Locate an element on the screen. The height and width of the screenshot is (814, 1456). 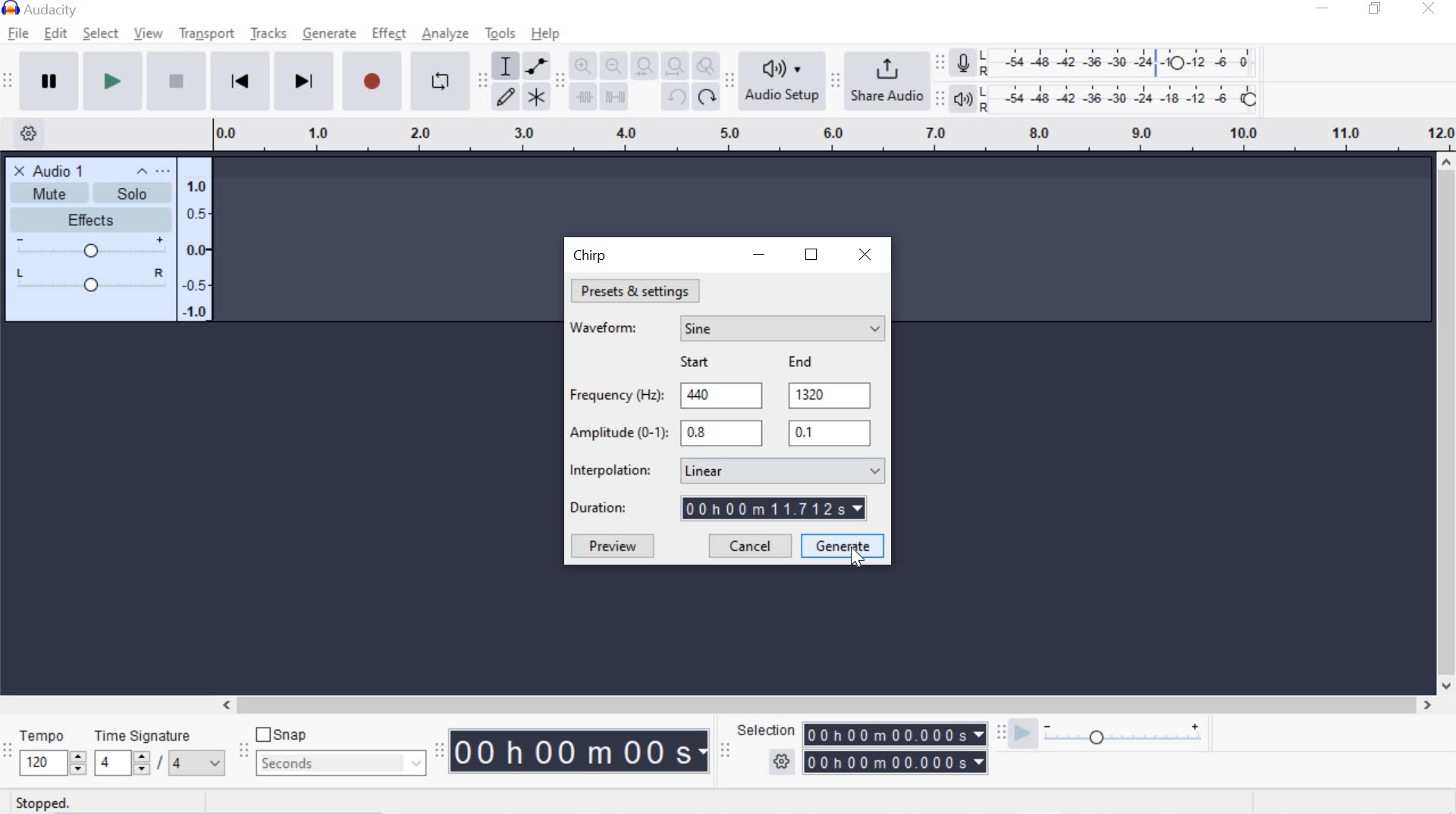
Record is located at coordinates (376, 81).